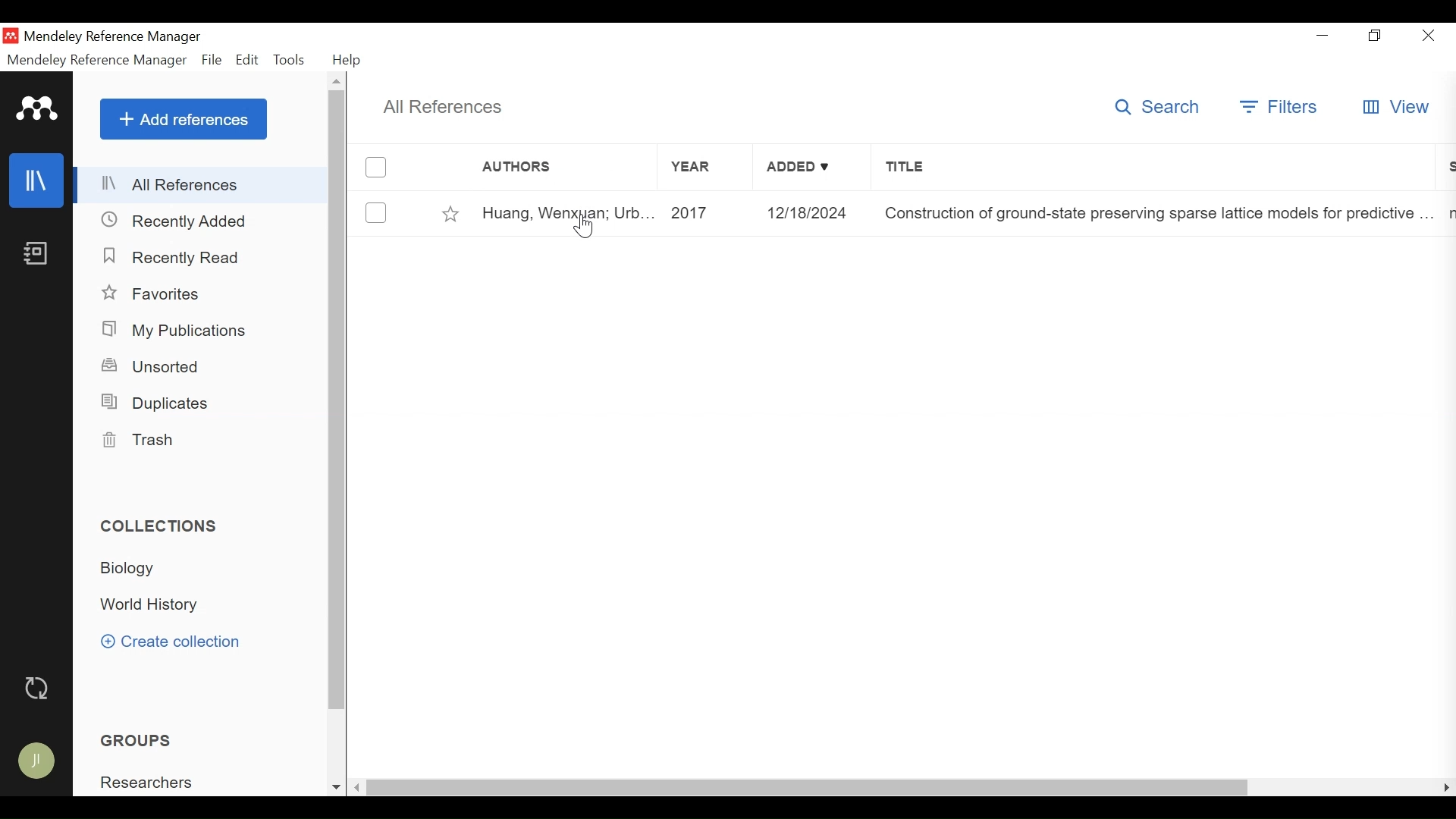 Image resolution: width=1456 pixels, height=819 pixels. I want to click on Duplicates, so click(158, 405).